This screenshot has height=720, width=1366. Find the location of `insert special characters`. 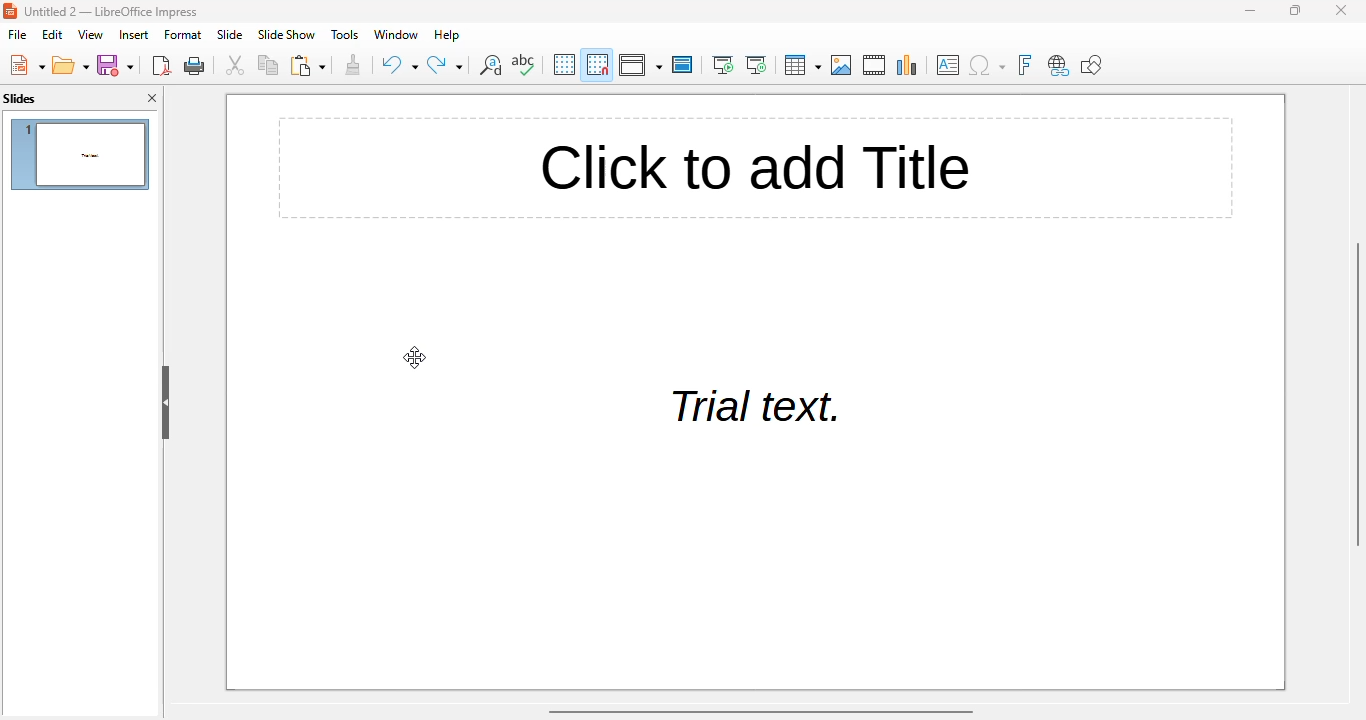

insert special characters is located at coordinates (986, 65).